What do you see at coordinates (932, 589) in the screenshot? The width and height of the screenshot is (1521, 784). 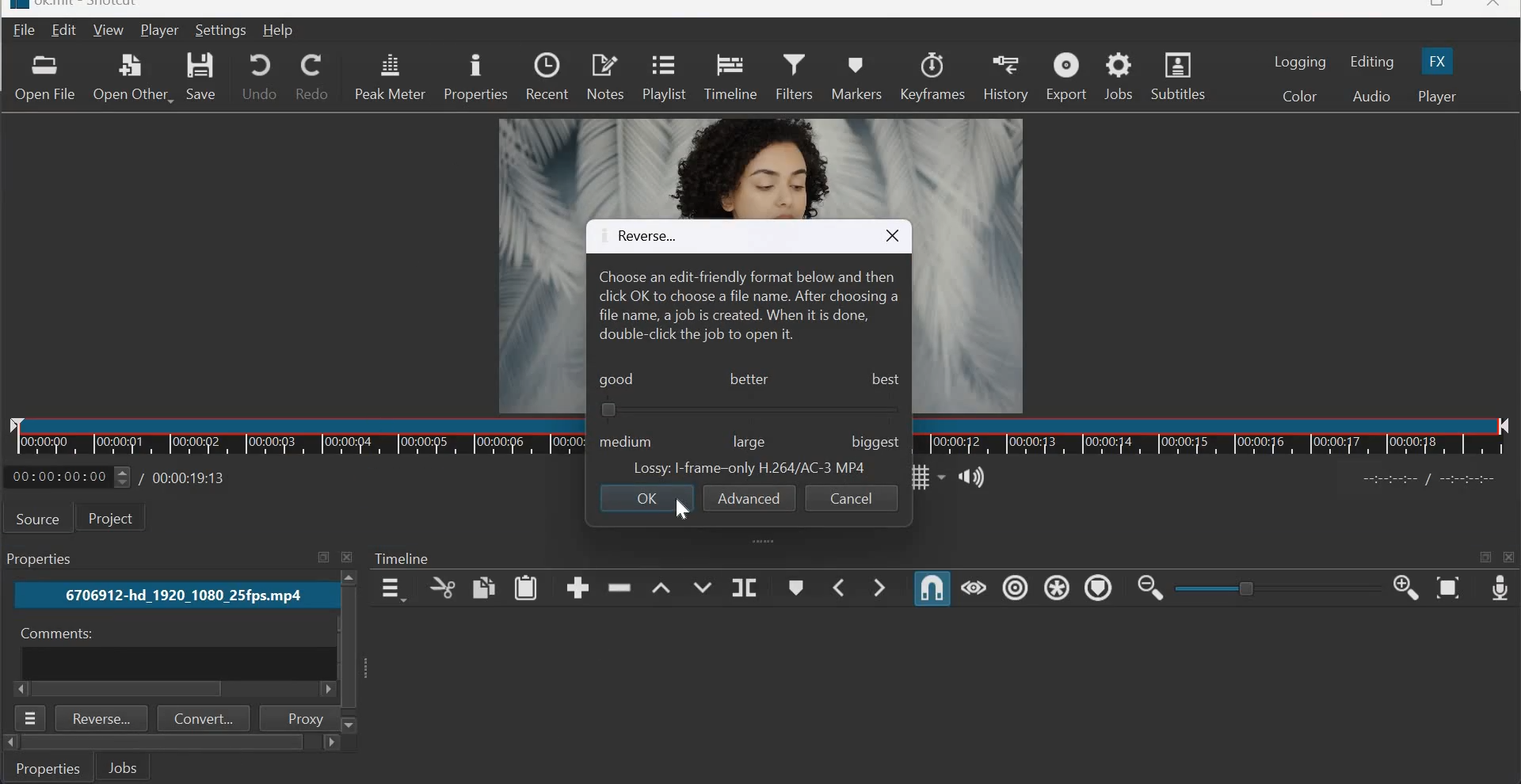 I see `Snap` at bounding box center [932, 589].